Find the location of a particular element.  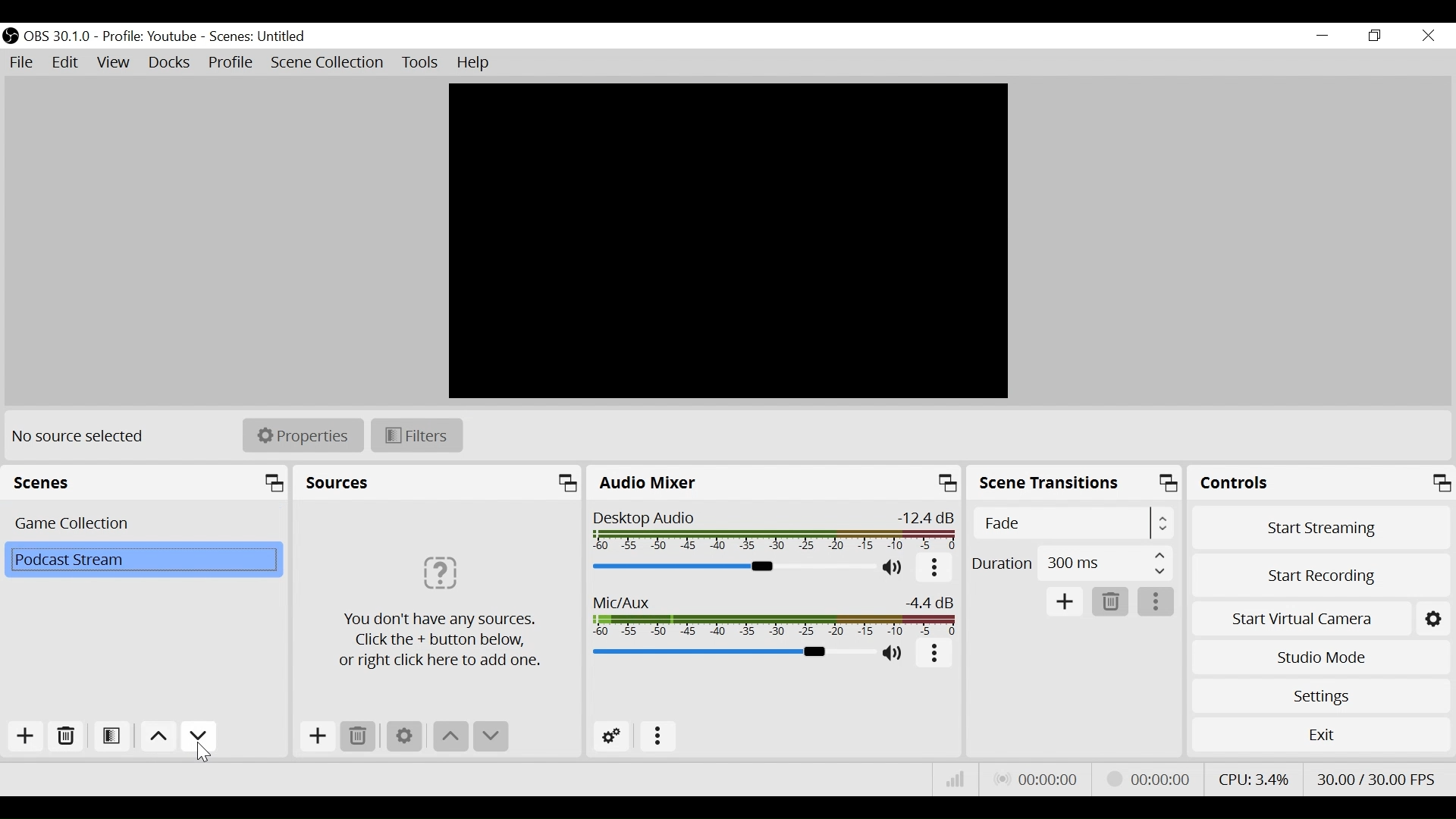

No source selected is located at coordinates (83, 436).